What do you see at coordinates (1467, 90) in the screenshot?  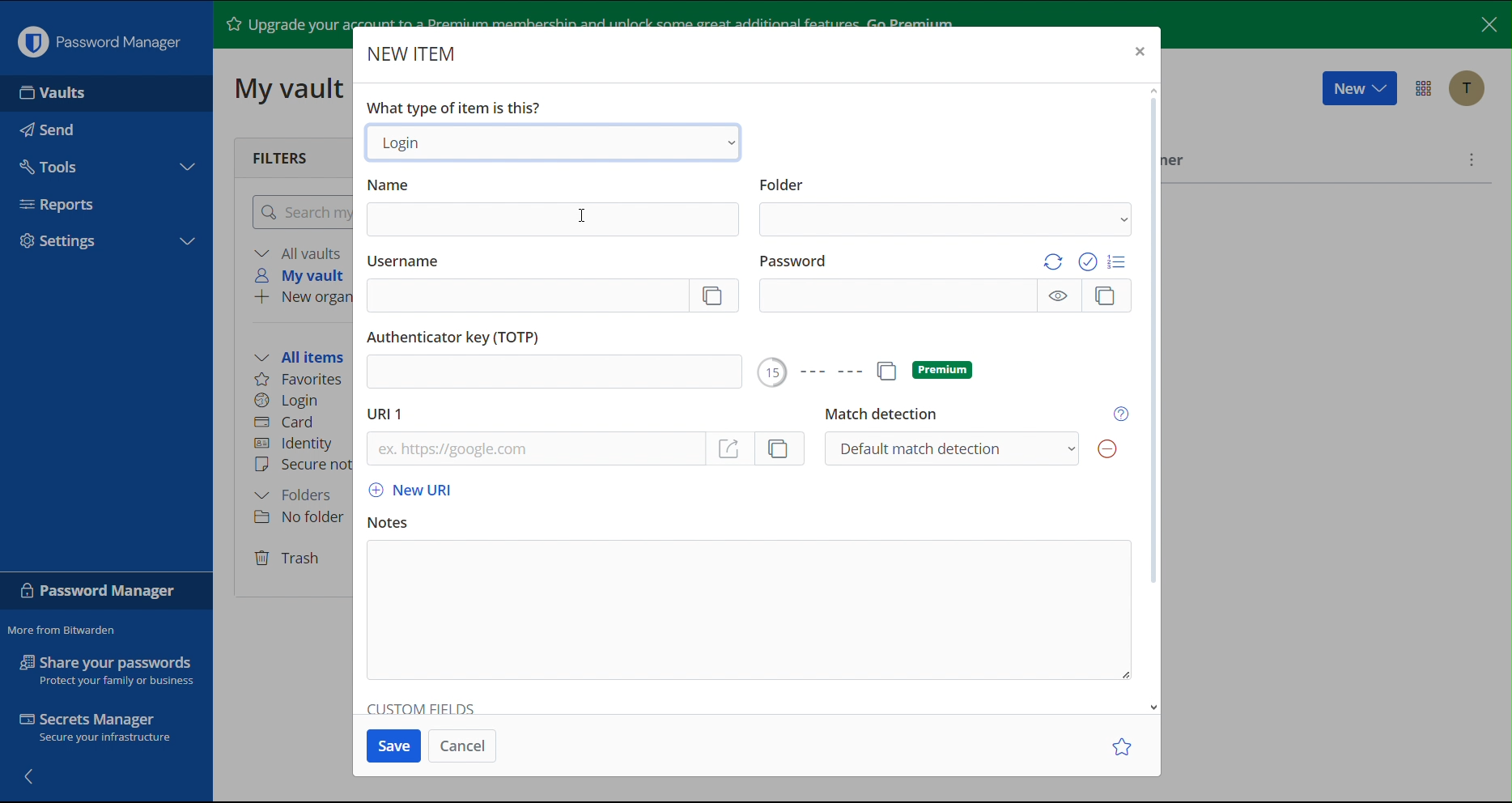 I see `Account` at bounding box center [1467, 90].